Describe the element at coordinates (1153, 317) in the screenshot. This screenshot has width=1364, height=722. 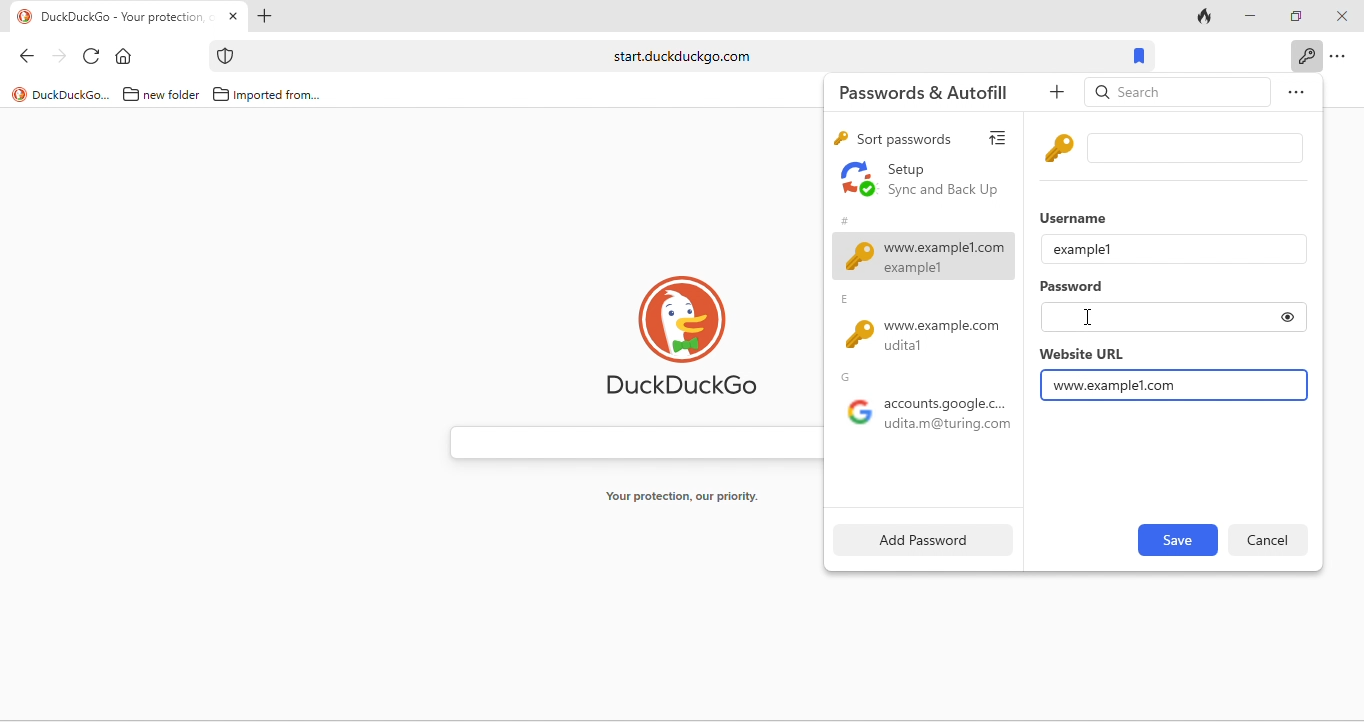
I see `password input box` at that location.